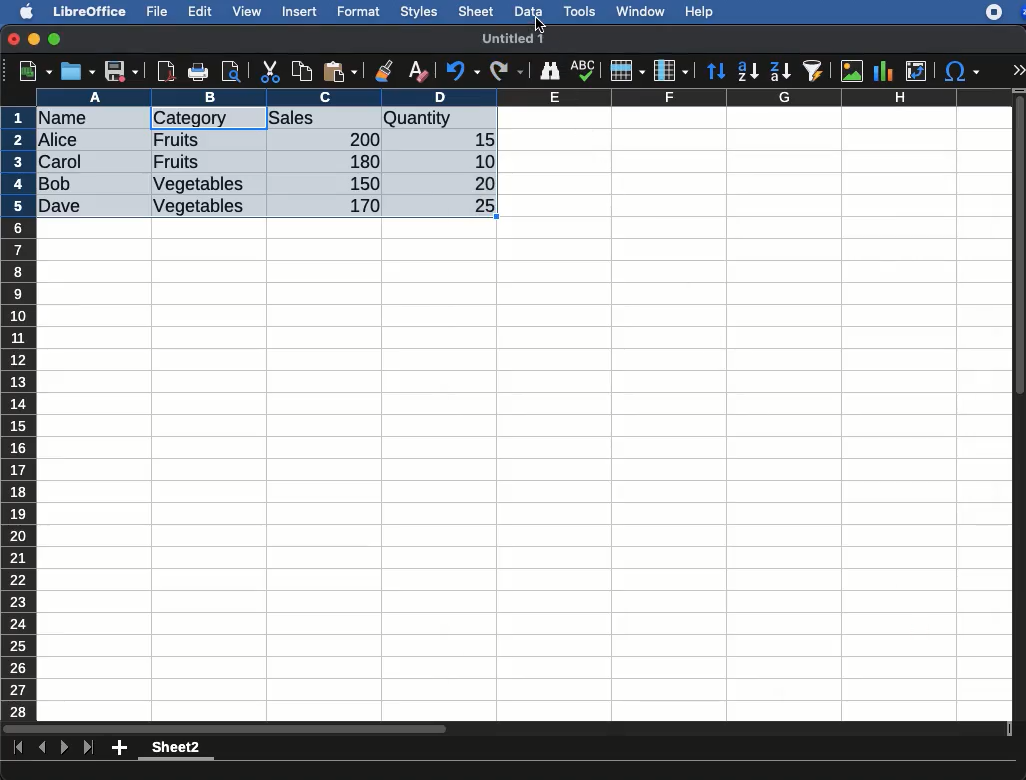  Describe the element at coordinates (20, 413) in the screenshot. I see `row` at that location.